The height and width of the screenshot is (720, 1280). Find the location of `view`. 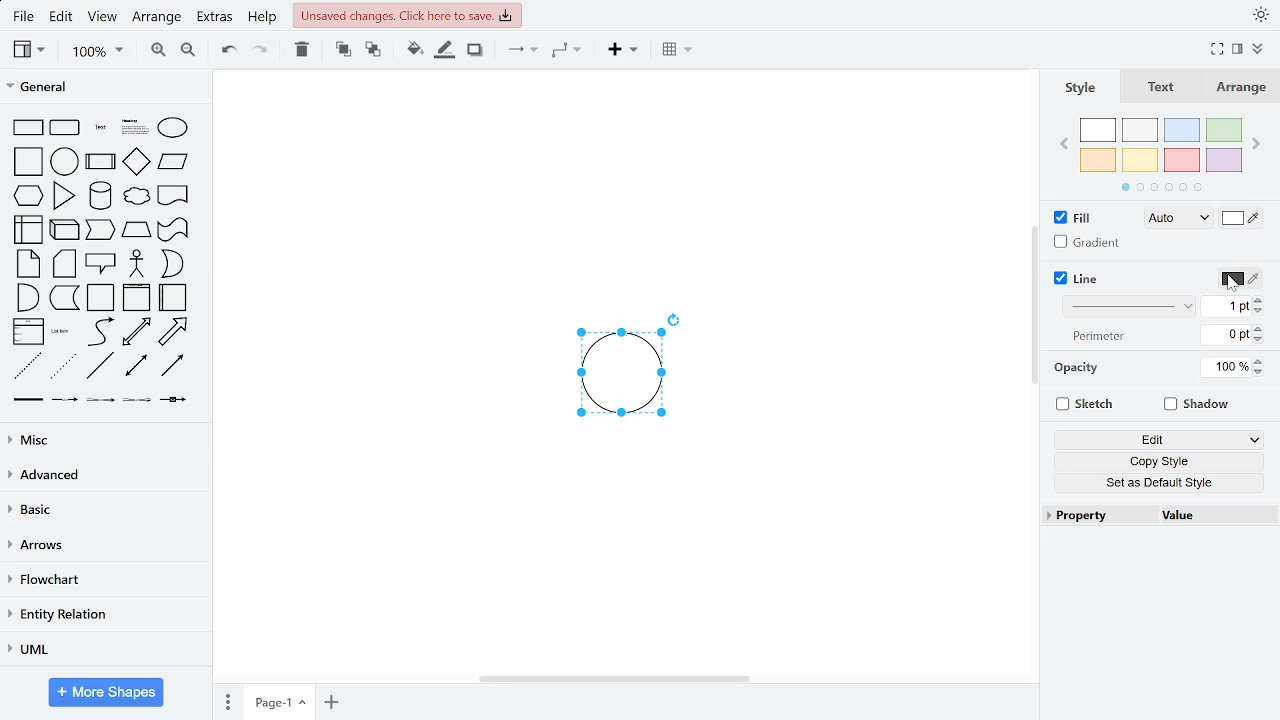

view is located at coordinates (103, 19).